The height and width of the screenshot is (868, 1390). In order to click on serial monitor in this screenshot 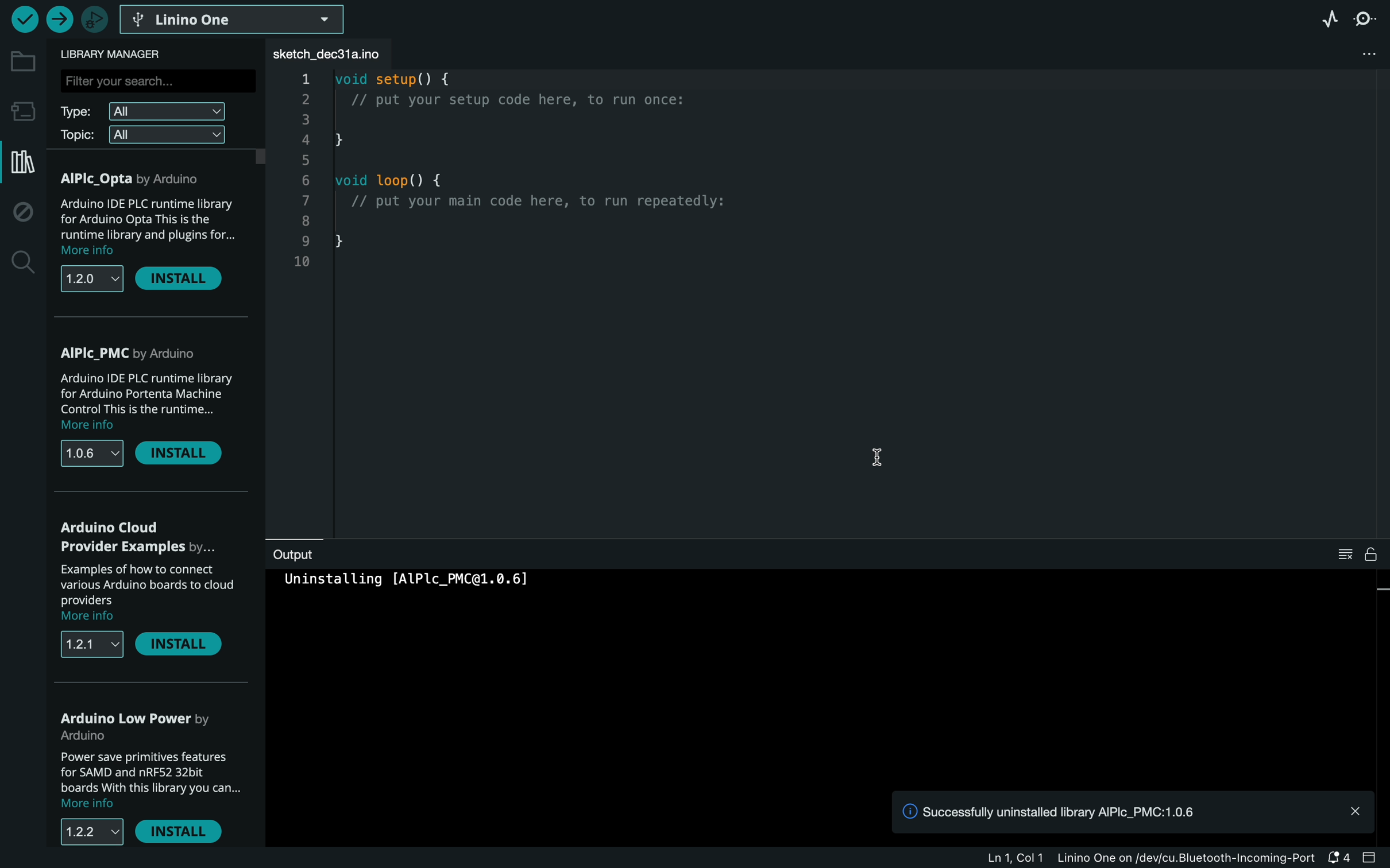, I will do `click(1368, 22)`.